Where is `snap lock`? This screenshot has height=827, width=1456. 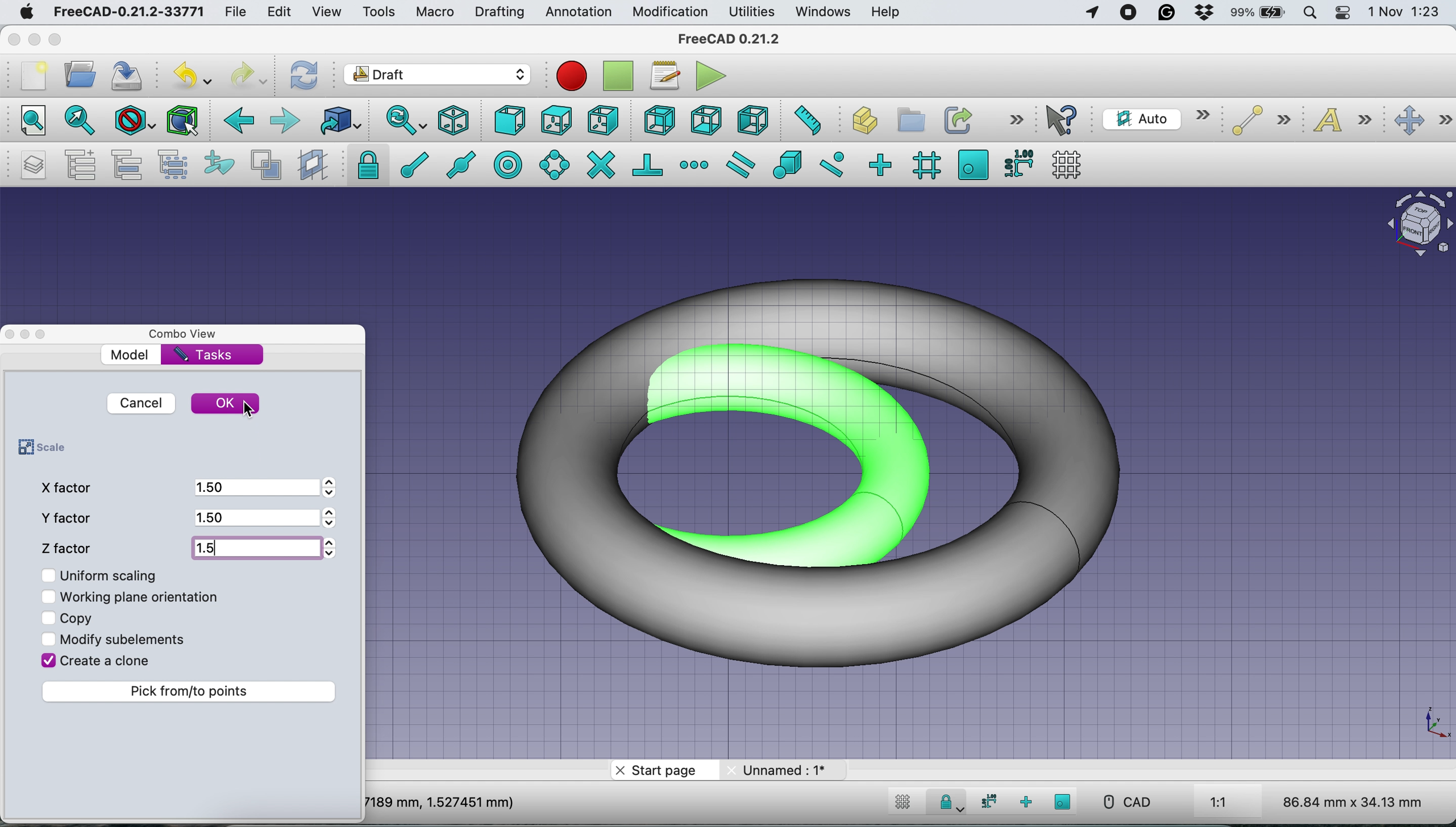 snap lock is located at coordinates (363, 165).